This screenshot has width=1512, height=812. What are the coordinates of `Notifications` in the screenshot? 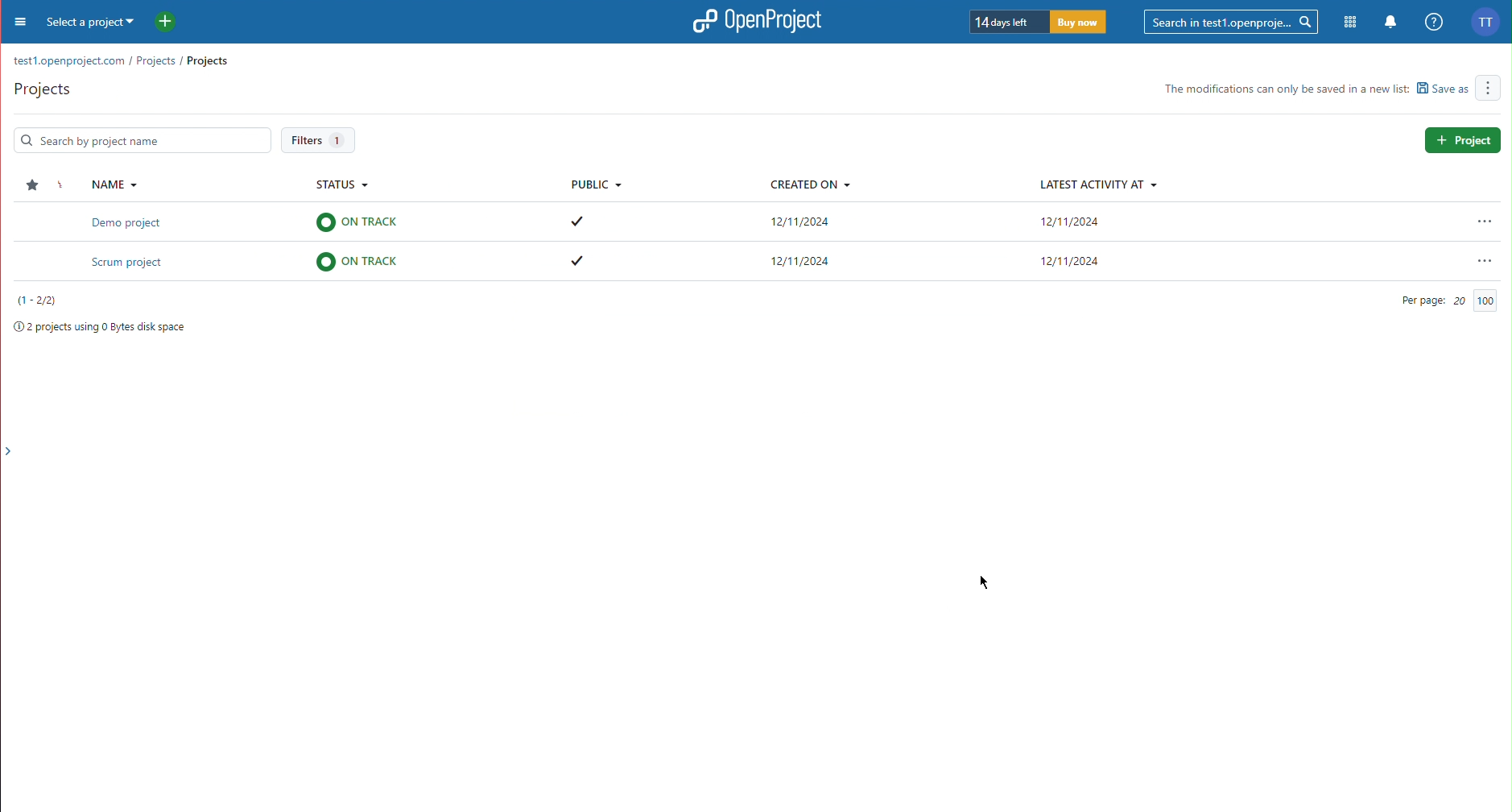 It's located at (1389, 23).